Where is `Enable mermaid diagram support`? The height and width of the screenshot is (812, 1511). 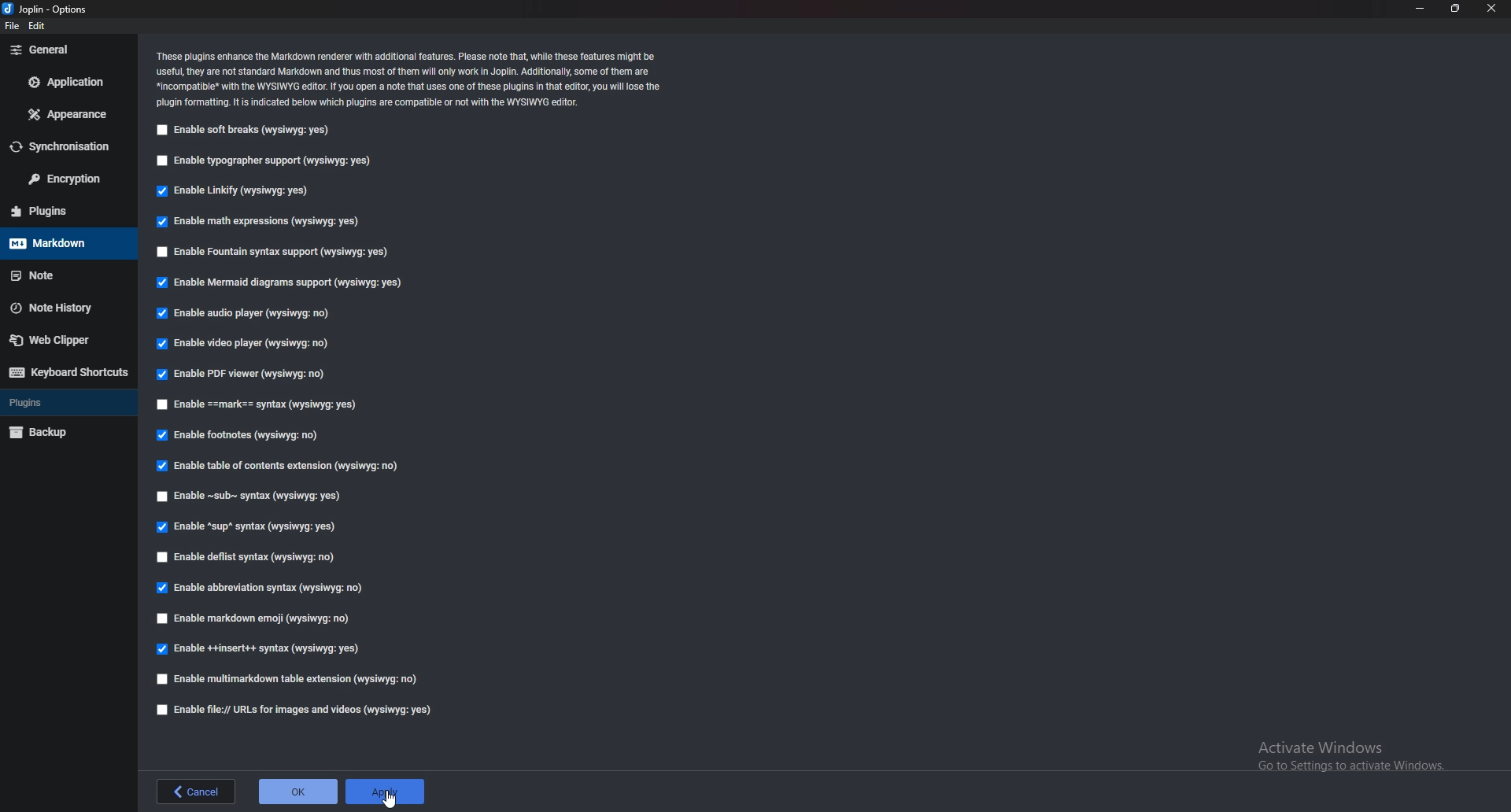
Enable mermaid diagram support is located at coordinates (279, 282).